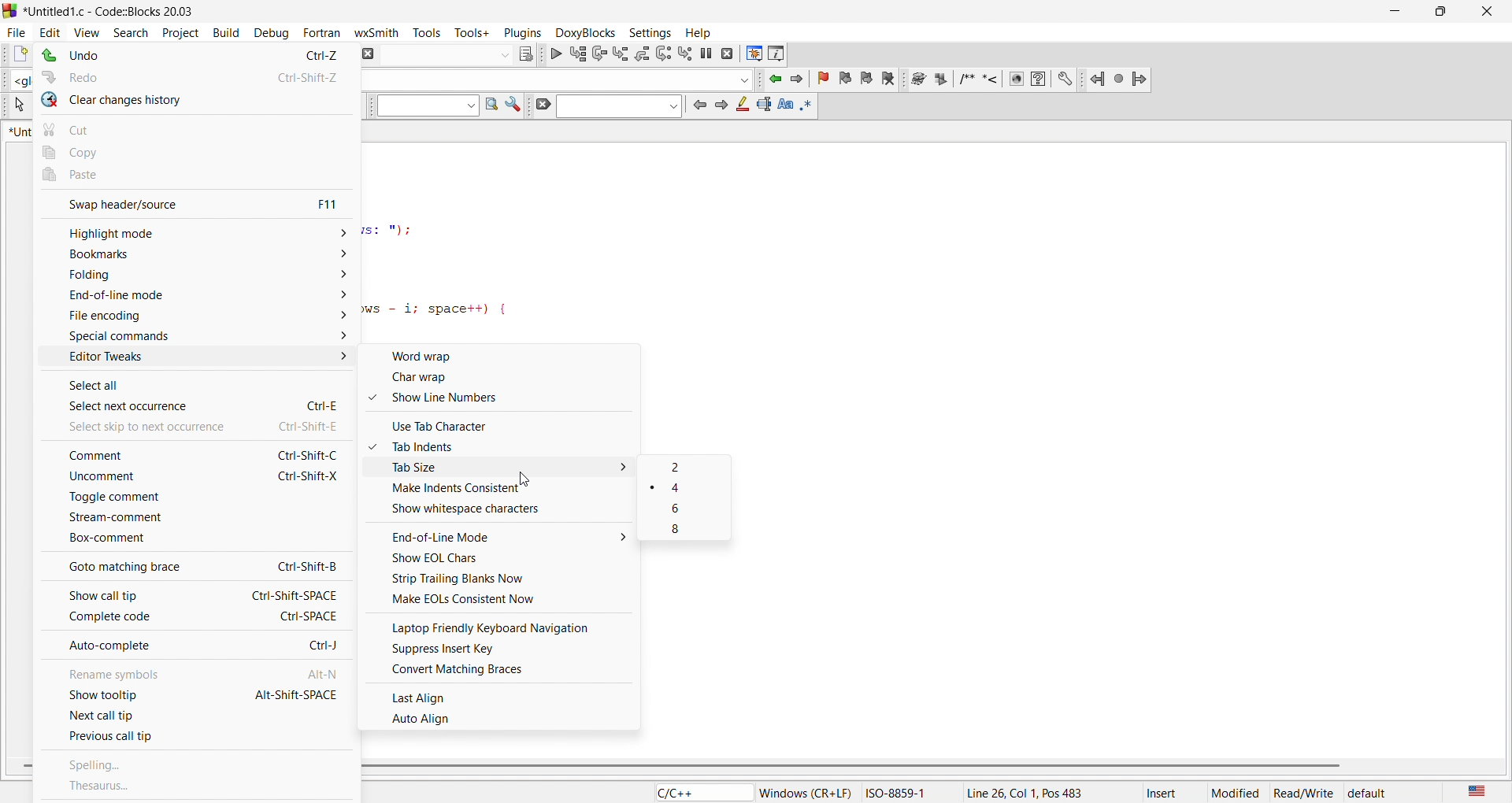  Describe the element at coordinates (222, 31) in the screenshot. I see `build` at that location.